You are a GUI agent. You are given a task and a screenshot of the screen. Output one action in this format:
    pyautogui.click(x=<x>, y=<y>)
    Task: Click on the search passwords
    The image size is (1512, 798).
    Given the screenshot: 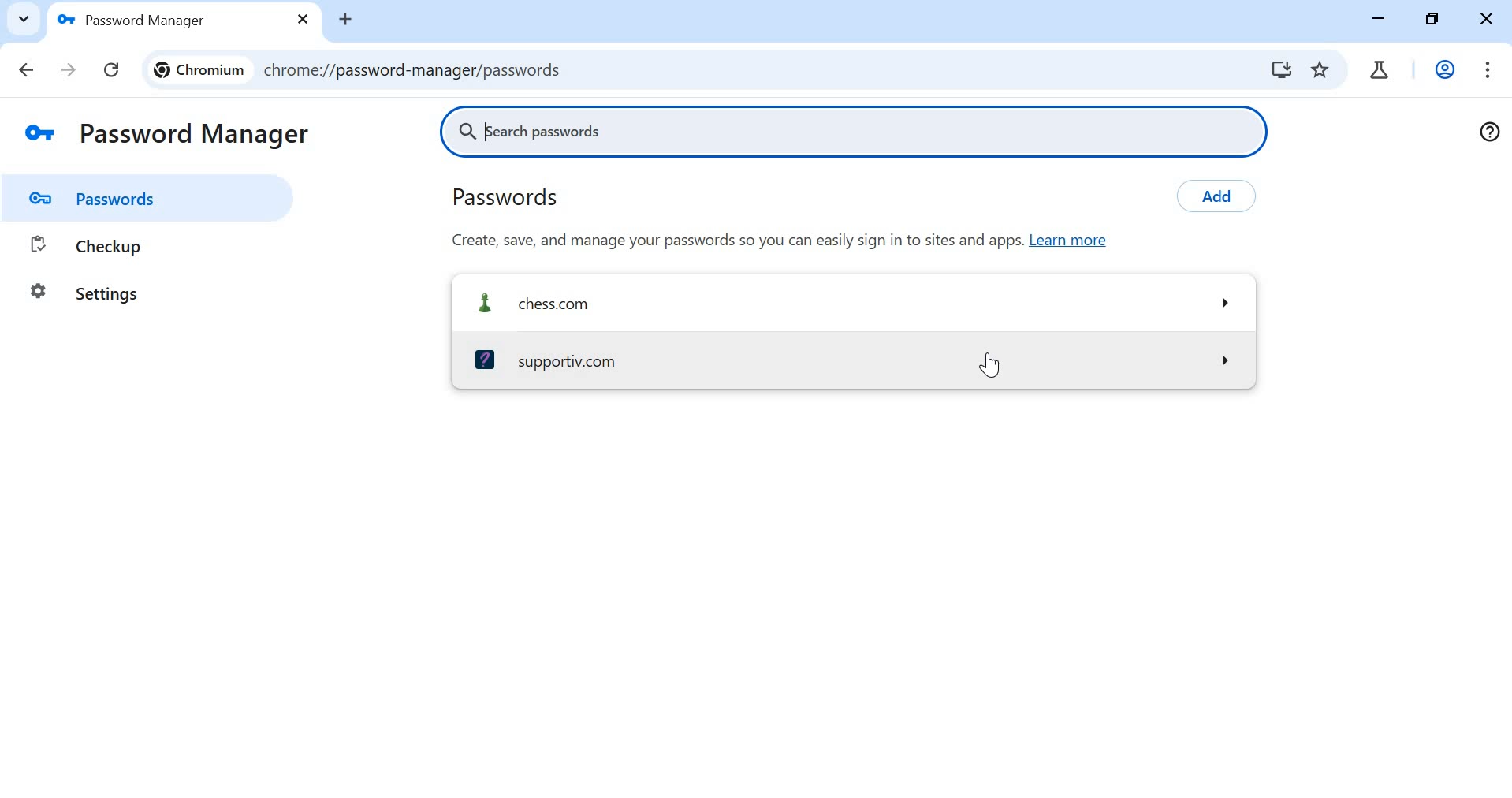 What is the action you would take?
    pyautogui.click(x=862, y=131)
    